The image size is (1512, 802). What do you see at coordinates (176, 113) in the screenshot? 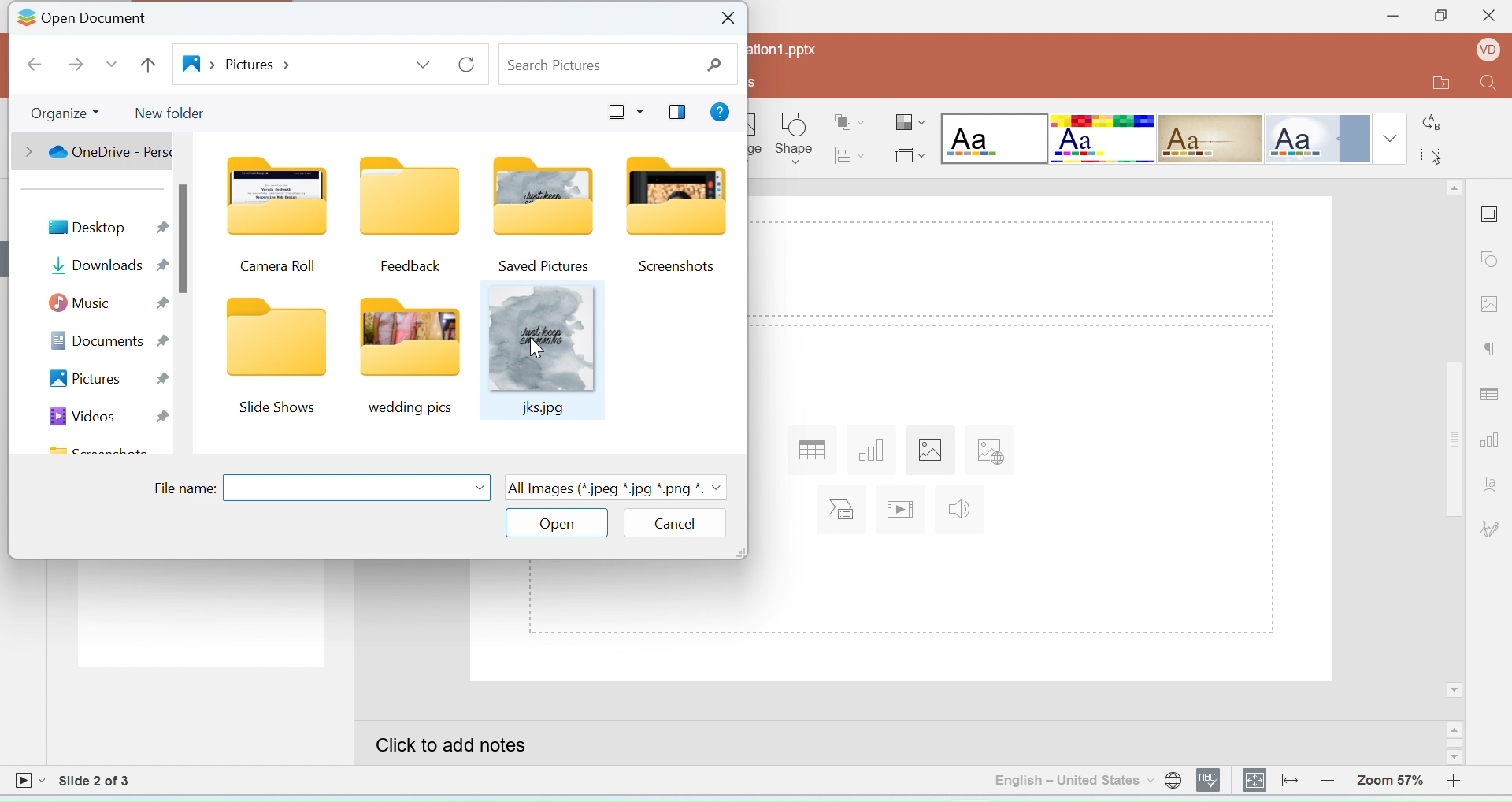
I see `new folder` at bounding box center [176, 113].